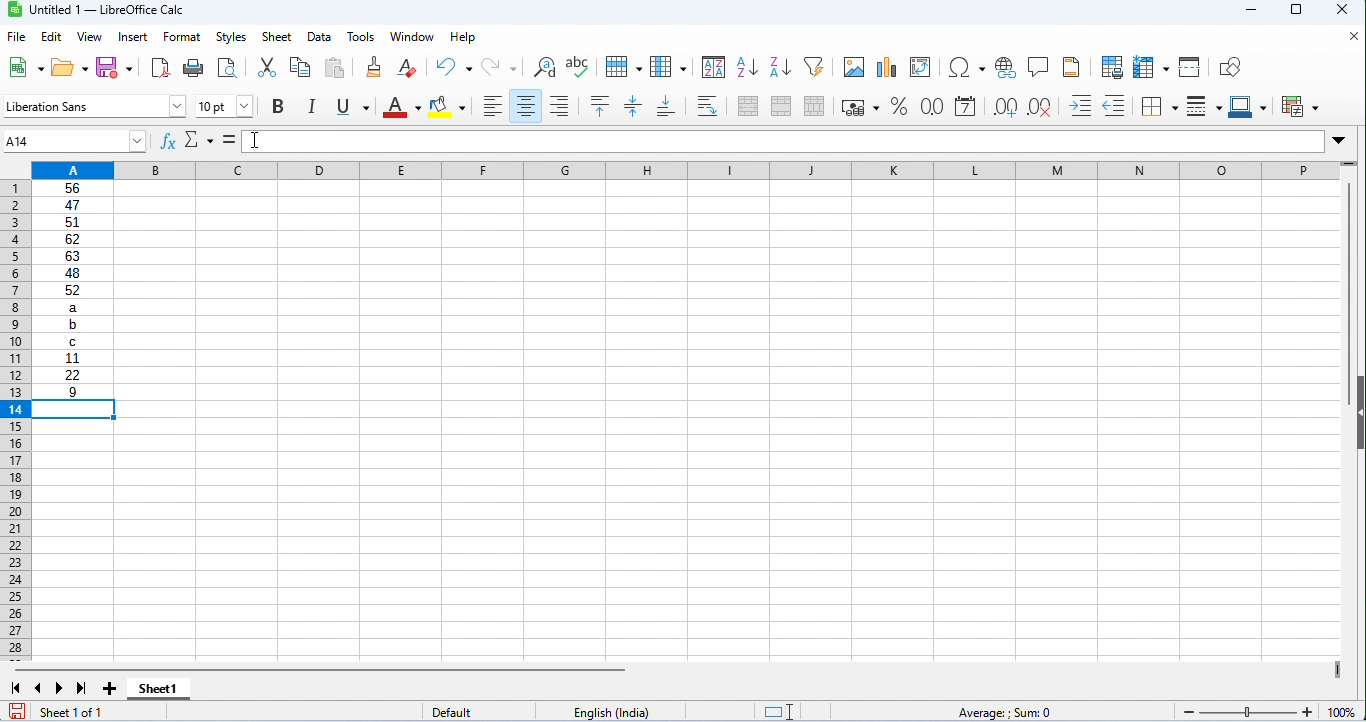  I want to click on Zoom out, so click(1189, 713).